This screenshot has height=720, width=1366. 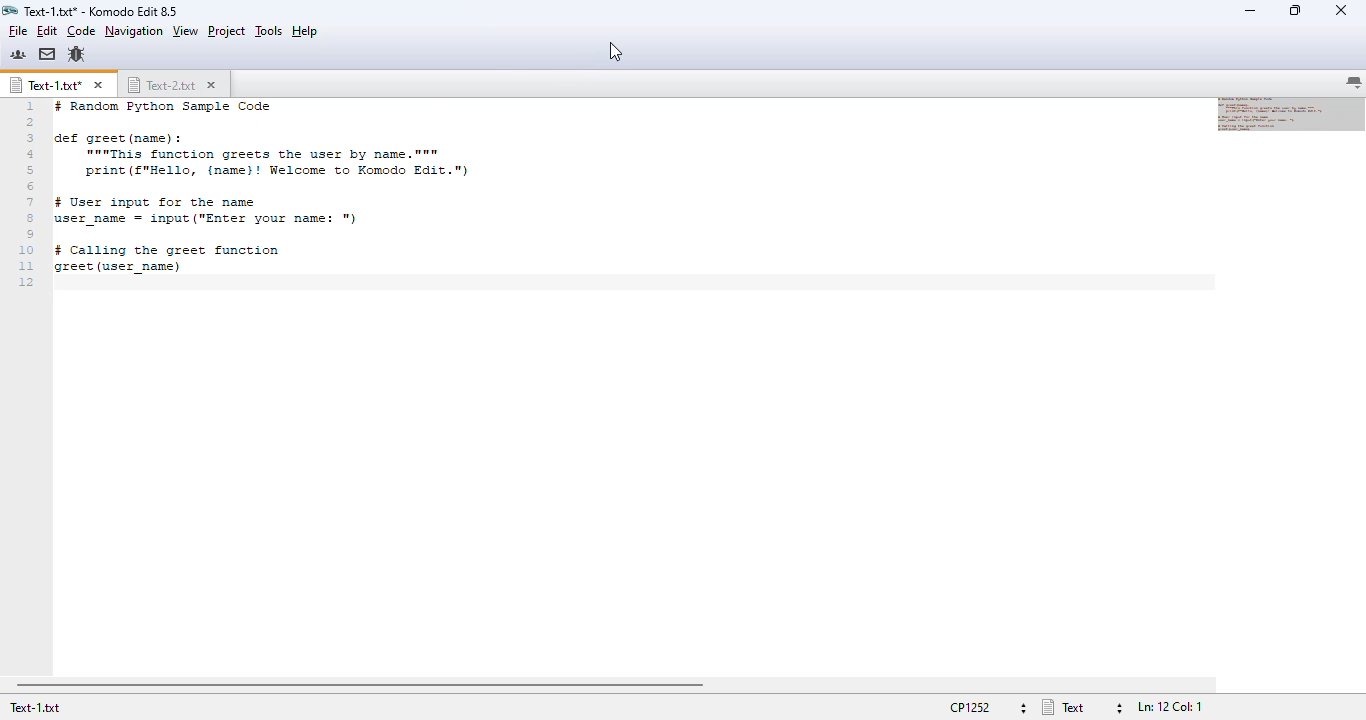 What do you see at coordinates (1170, 706) in the screenshot?
I see `file position` at bounding box center [1170, 706].